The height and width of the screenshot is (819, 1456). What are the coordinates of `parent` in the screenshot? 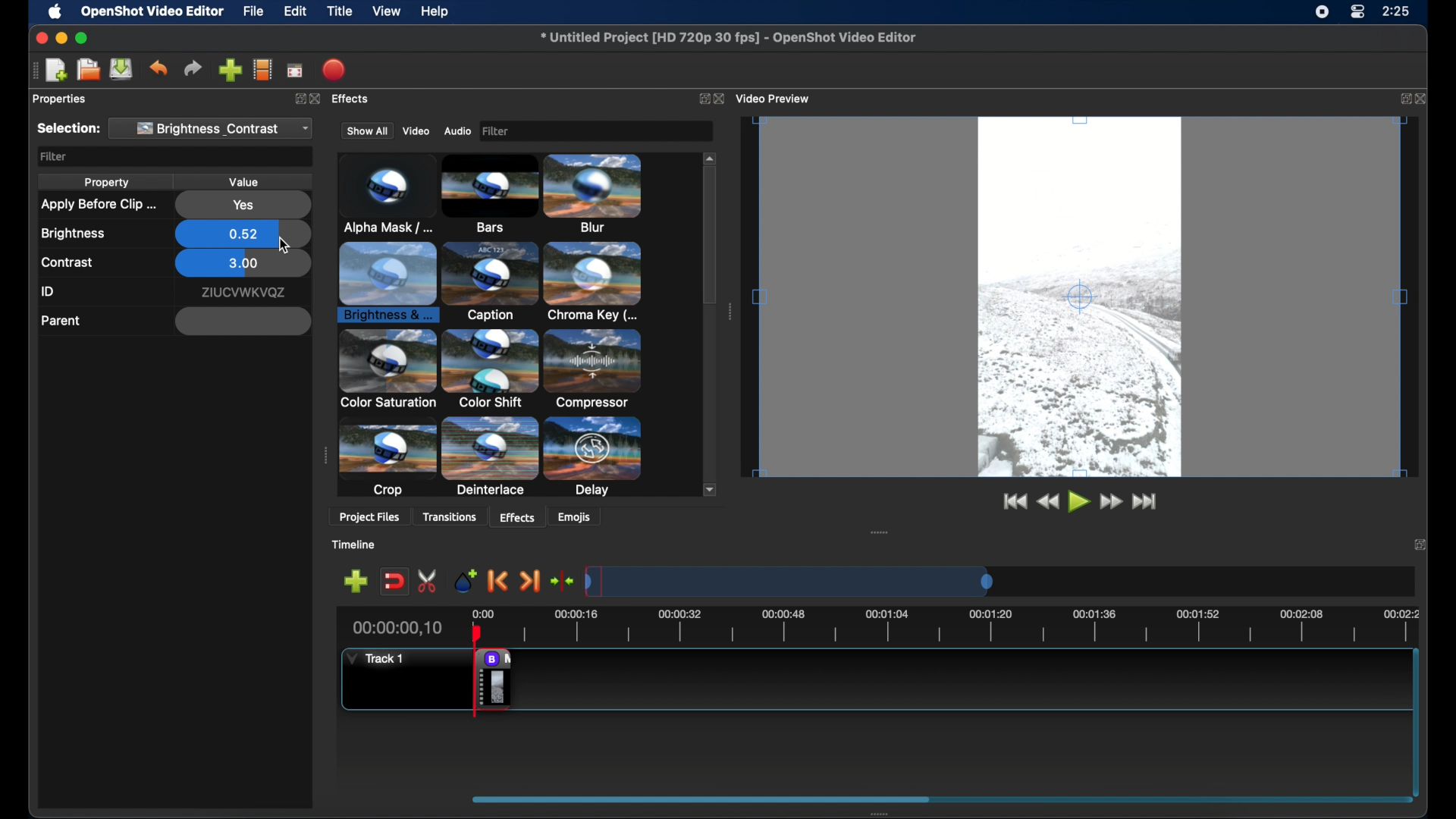 It's located at (61, 321).